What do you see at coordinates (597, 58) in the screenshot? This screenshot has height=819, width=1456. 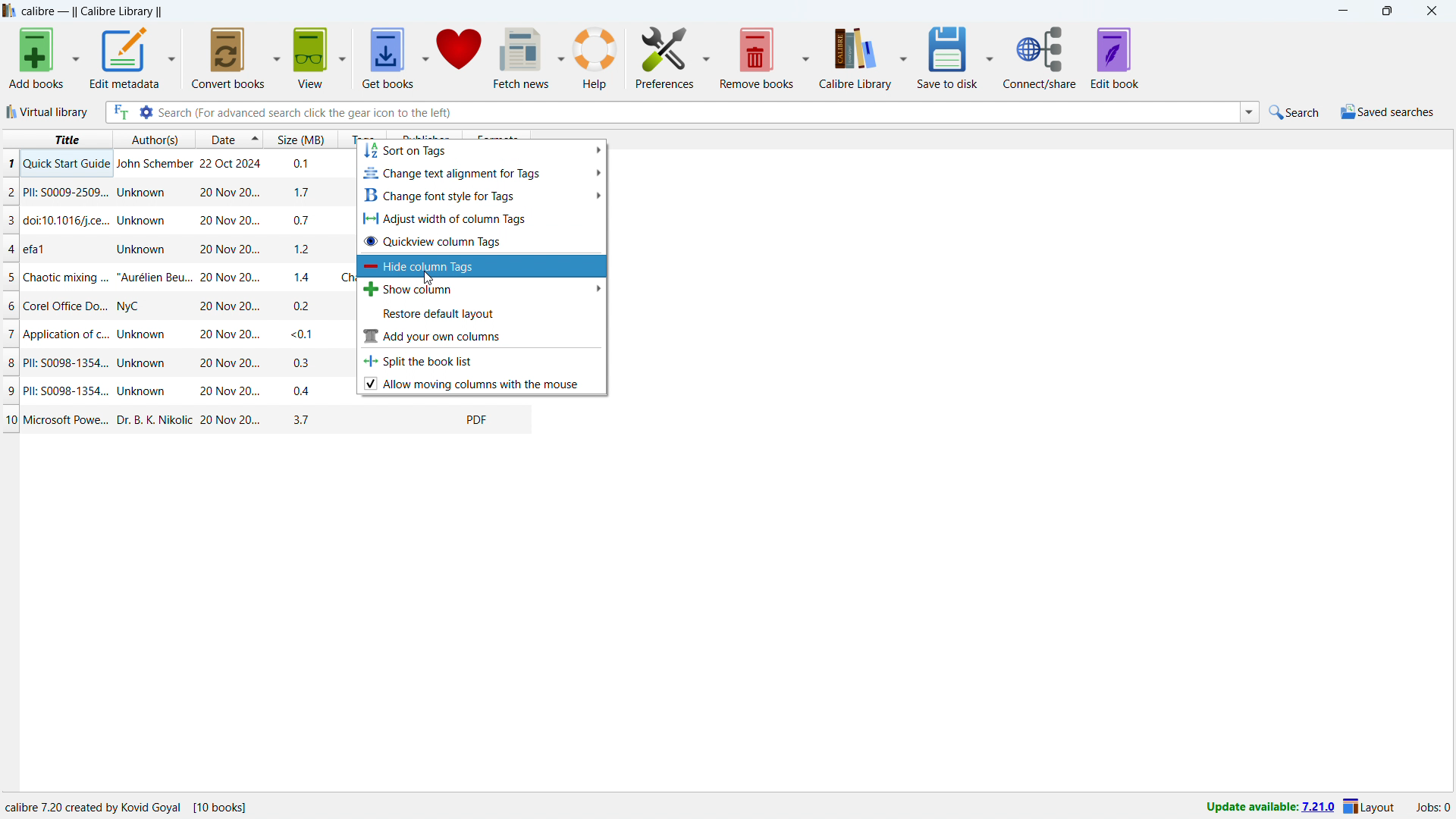 I see `` at bounding box center [597, 58].